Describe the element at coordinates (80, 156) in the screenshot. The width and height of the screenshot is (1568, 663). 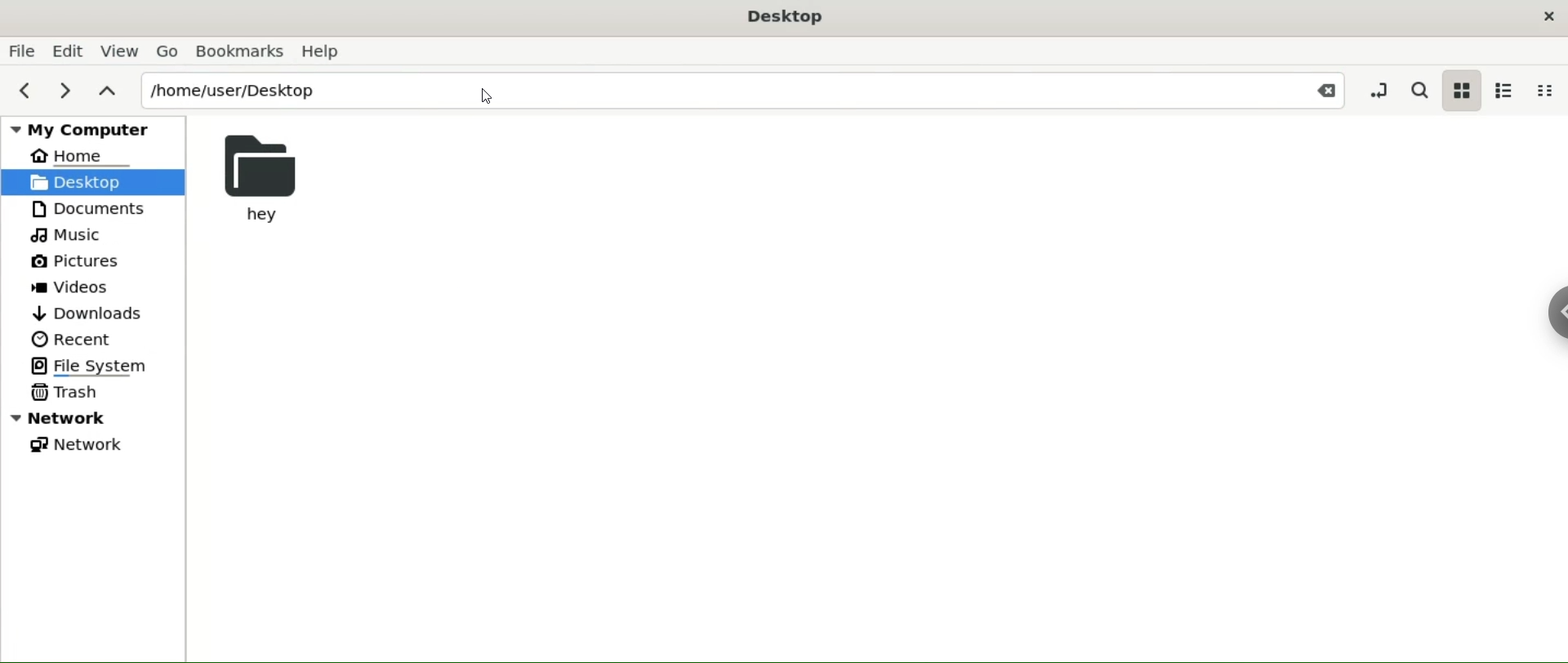
I see `home` at that location.